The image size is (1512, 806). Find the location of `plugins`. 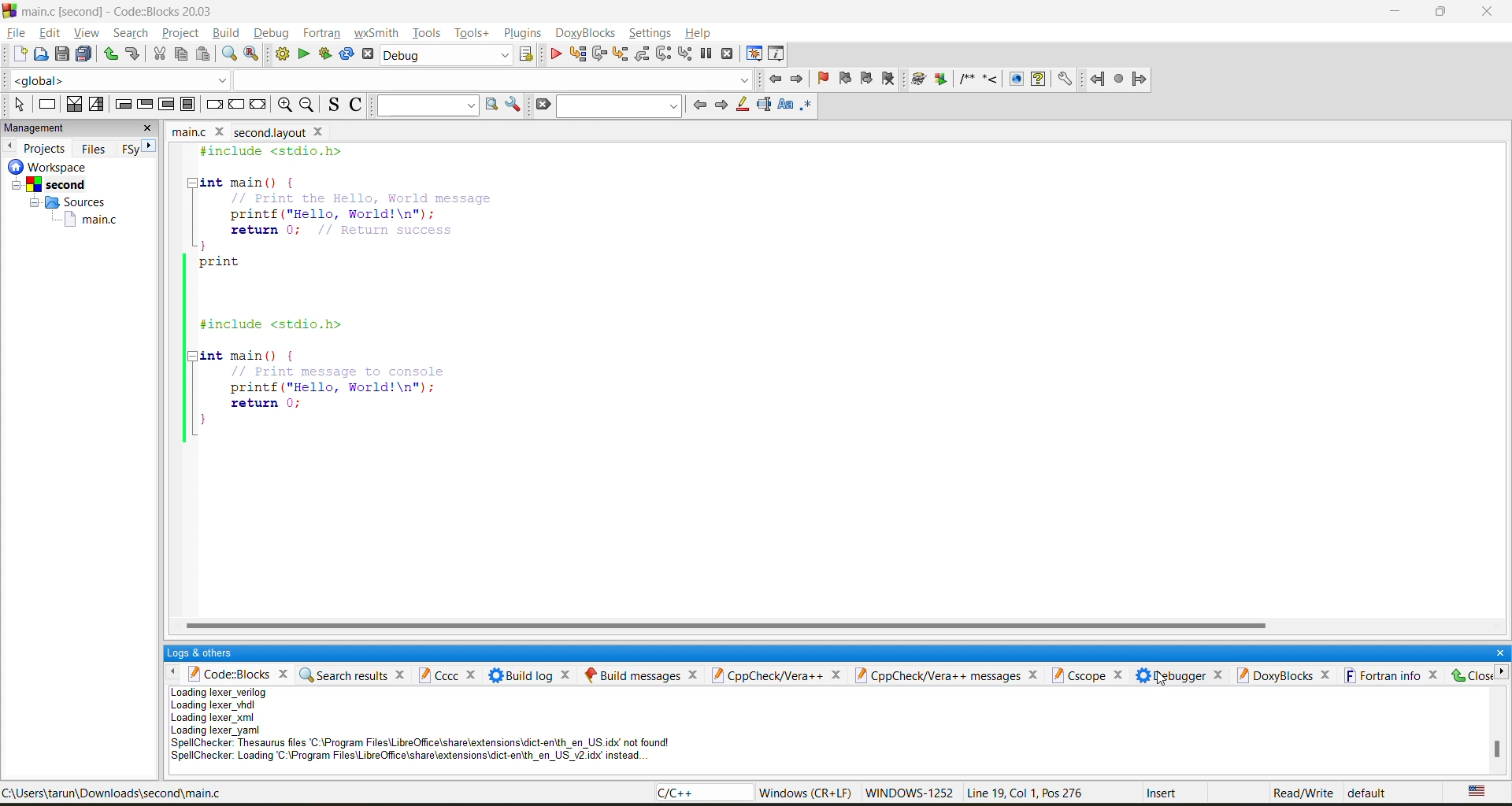

plugins is located at coordinates (524, 33).